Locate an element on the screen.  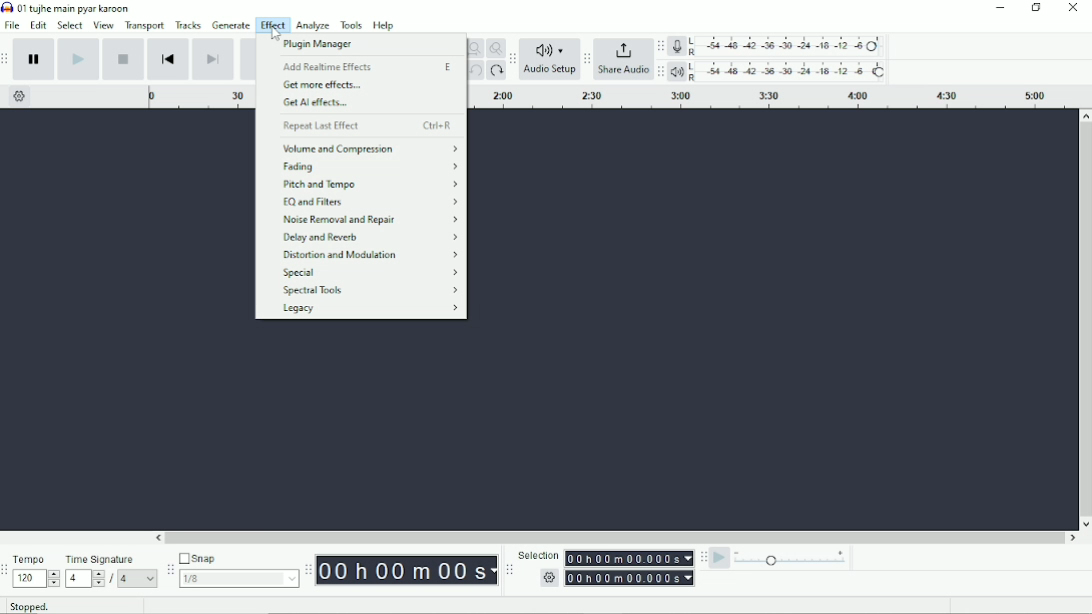
Playback meter is located at coordinates (781, 72).